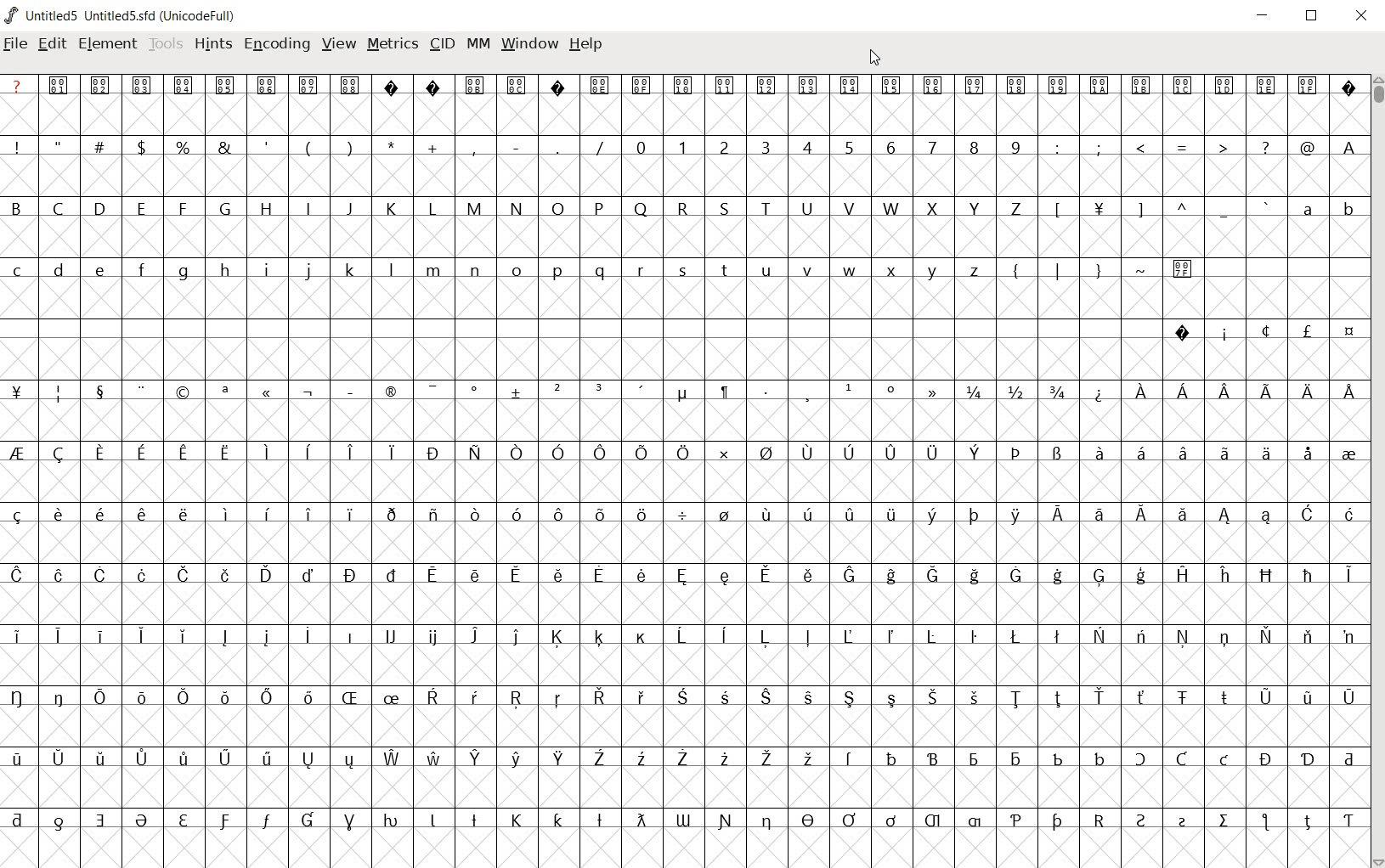 The width and height of the screenshot is (1385, 868). Describe the element at coordinates (142, 577) in the screenshot. I see `Symbol` at that location.